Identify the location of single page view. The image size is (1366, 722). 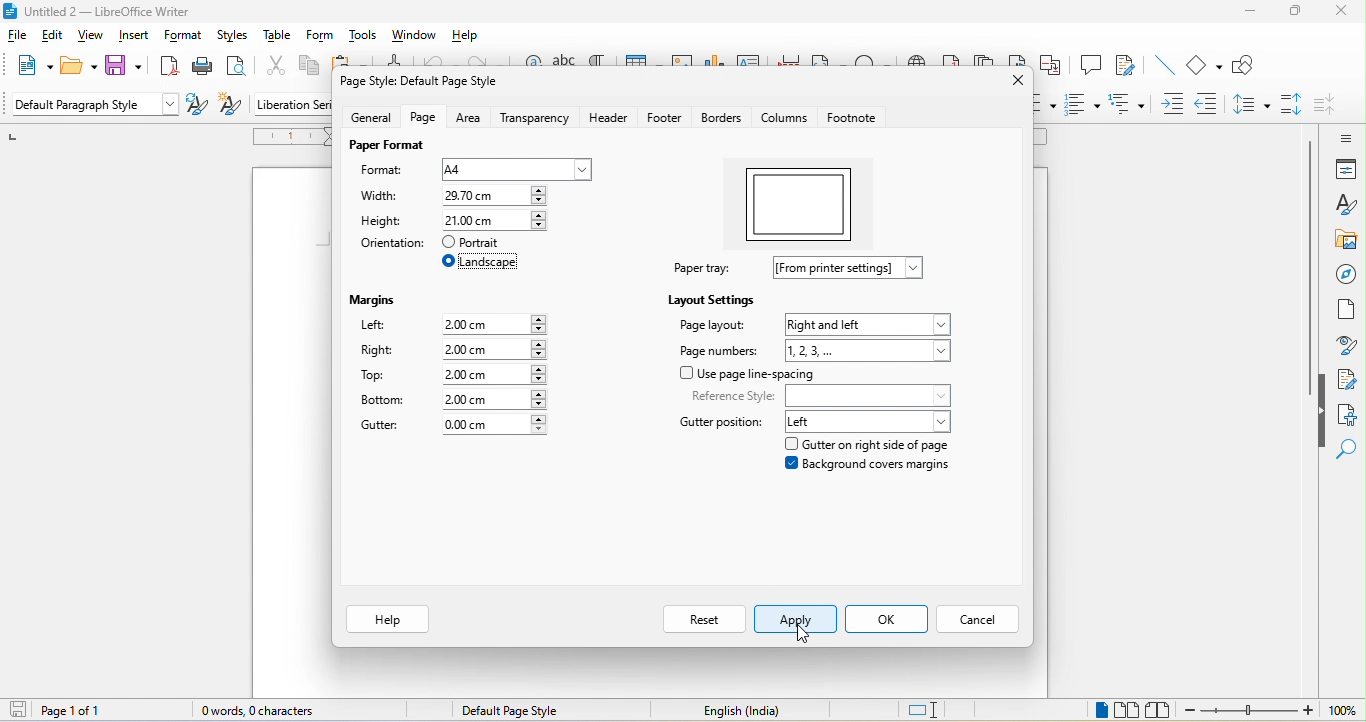
(1096, 710).